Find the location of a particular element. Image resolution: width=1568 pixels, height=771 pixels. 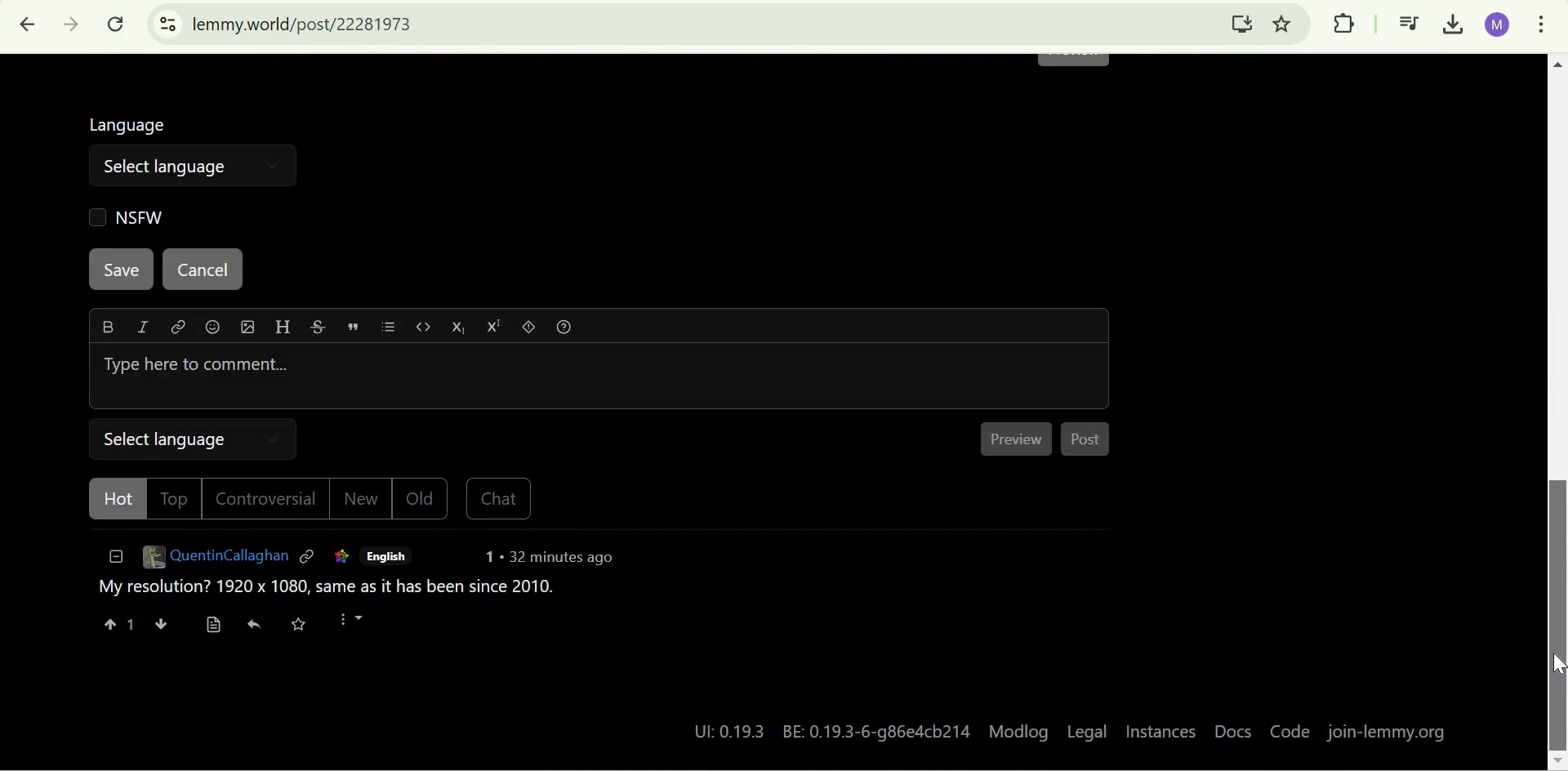

1 upvote is located at coordinates (118, 626).